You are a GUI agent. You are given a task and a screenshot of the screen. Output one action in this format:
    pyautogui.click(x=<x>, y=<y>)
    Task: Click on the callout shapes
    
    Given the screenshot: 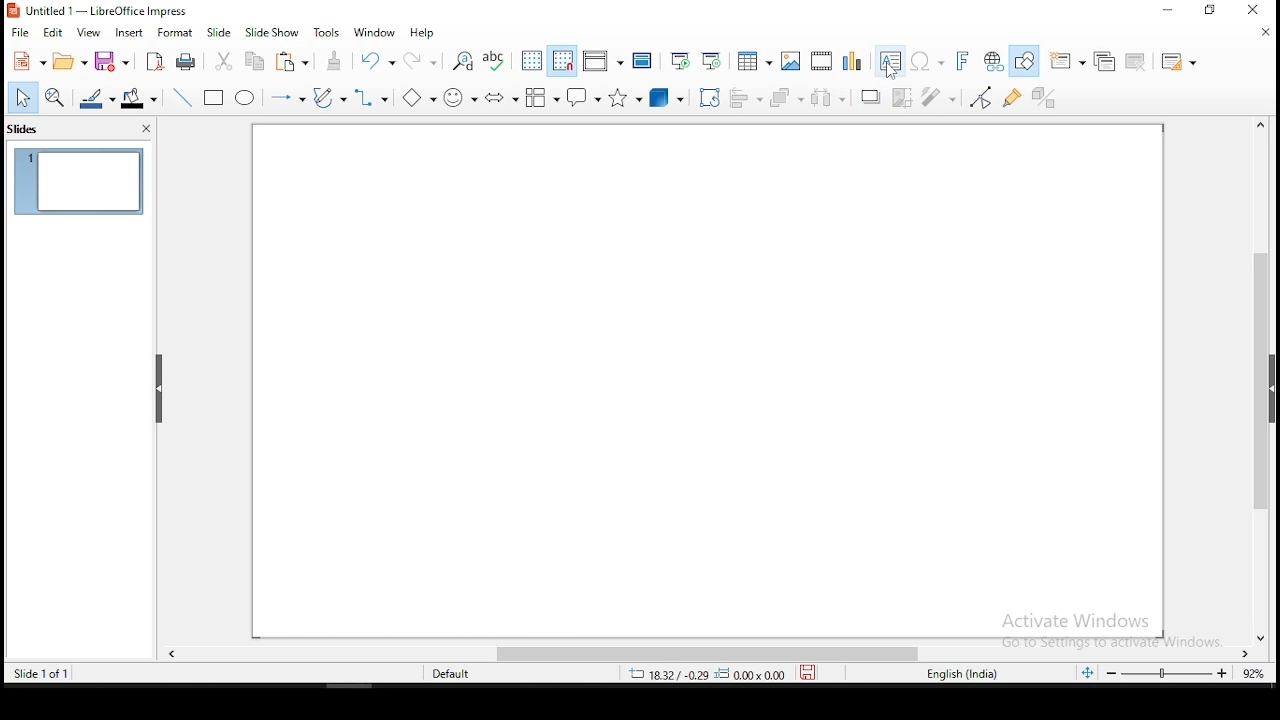 What is the action you would take?
    pyautogui.click(x=585, y=95)
    